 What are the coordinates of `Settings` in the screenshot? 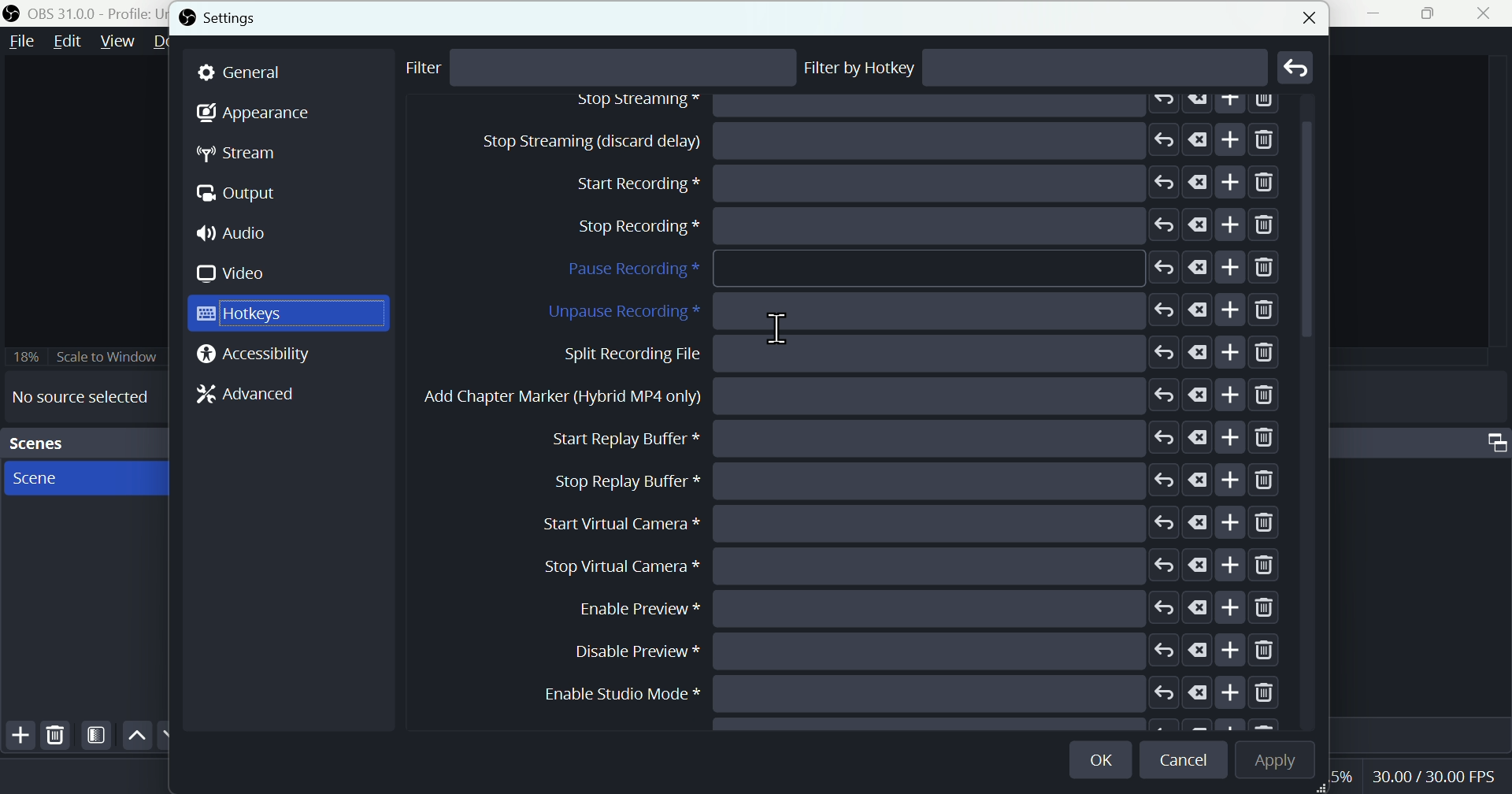 It's located at (225, 18).